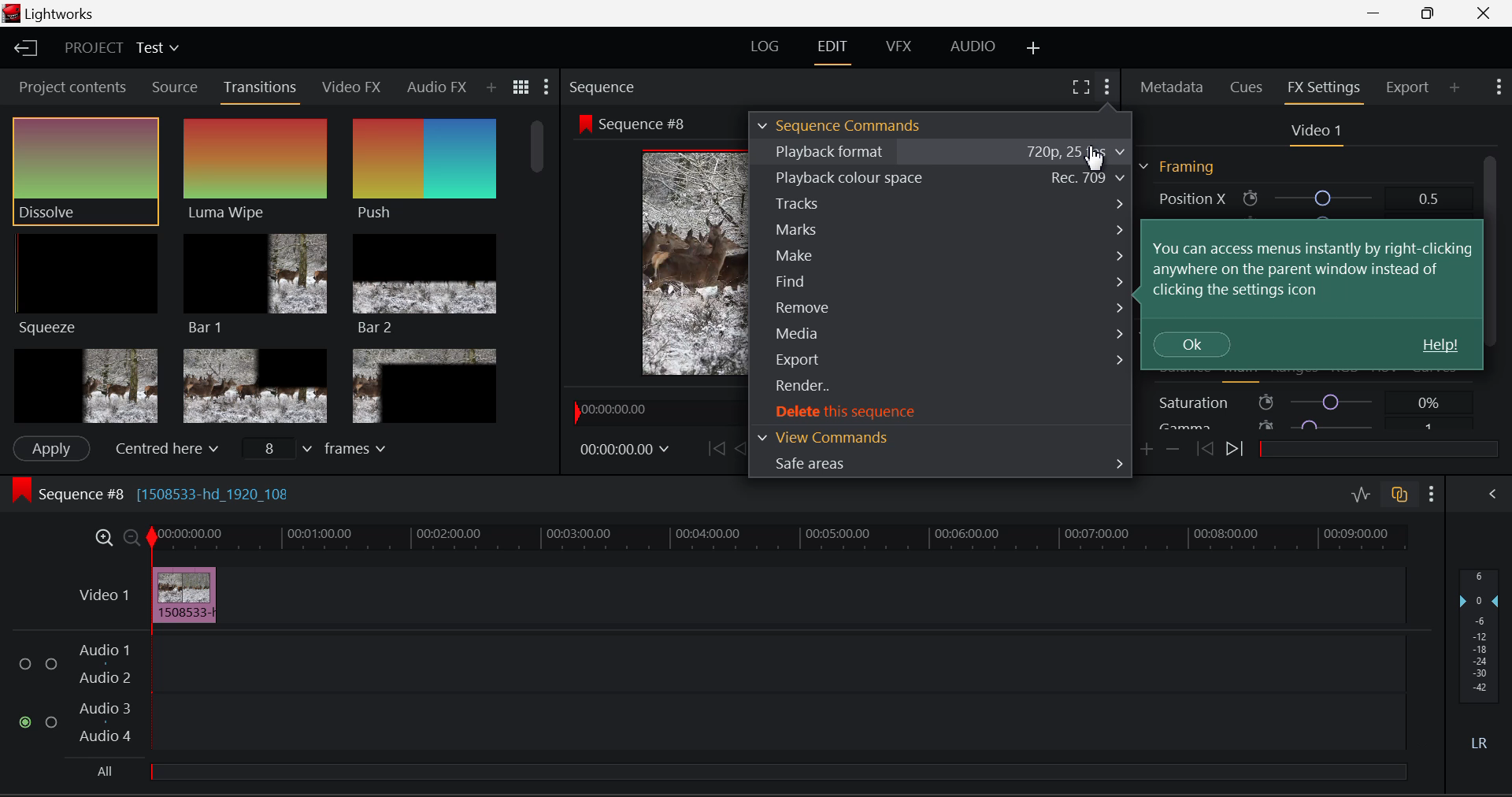  Describe the element at coordinates (30, 50) in the screenshot. I see `Back to Homepage` at that location.